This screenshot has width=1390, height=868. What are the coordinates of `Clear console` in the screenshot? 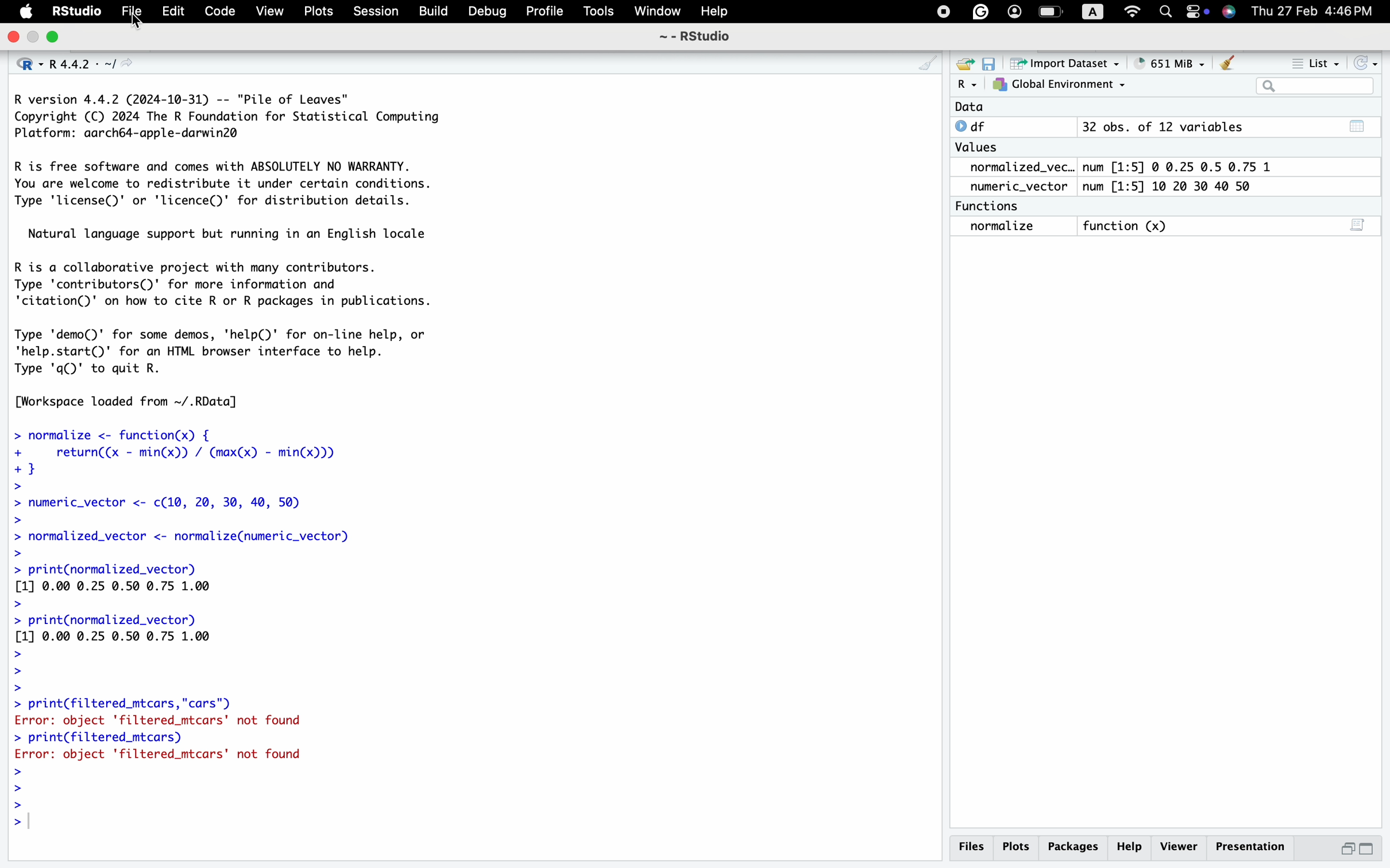 It's located at (1230, 61).